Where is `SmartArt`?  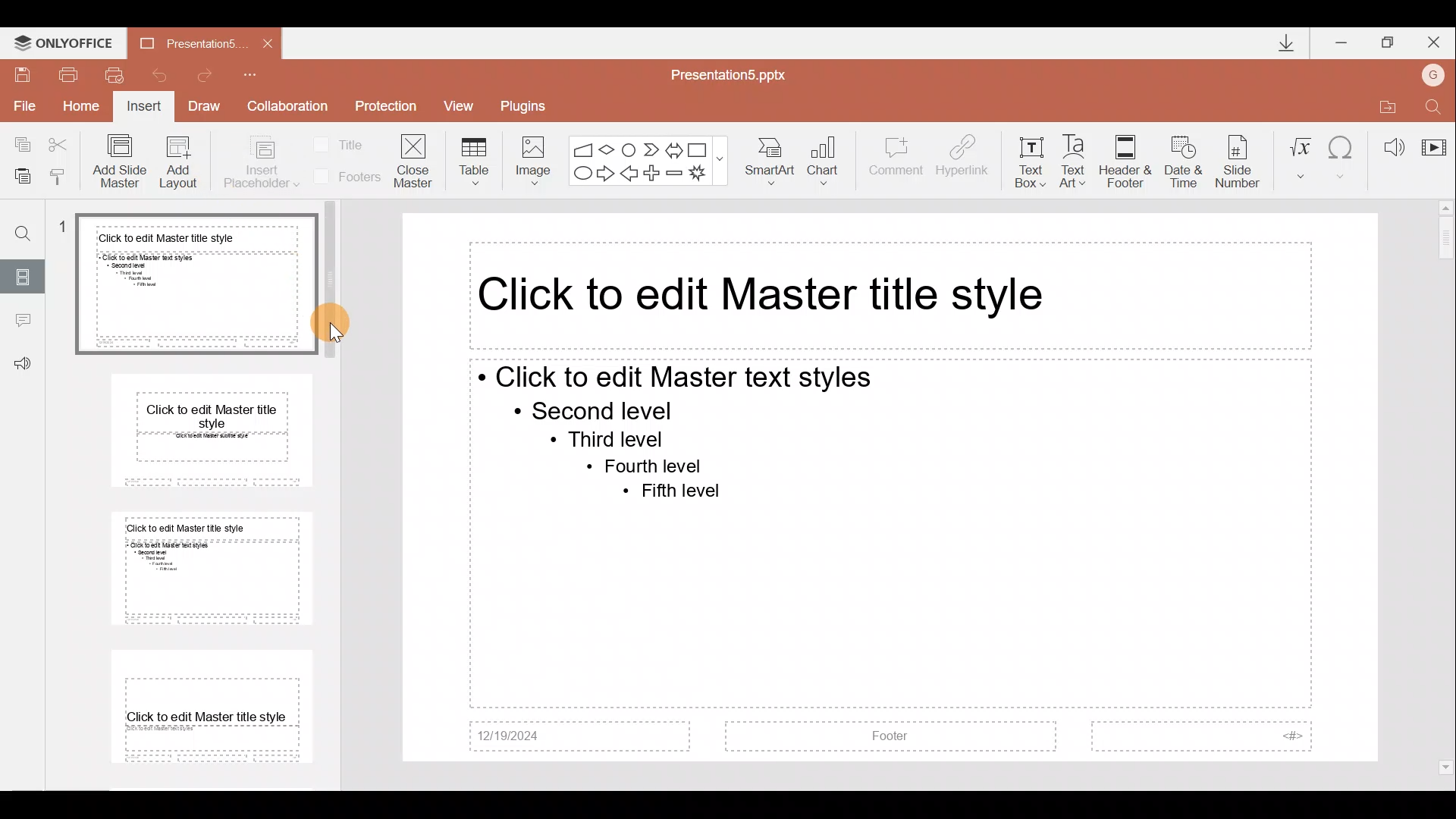 SmartArt is located at coordinates (773, 162).